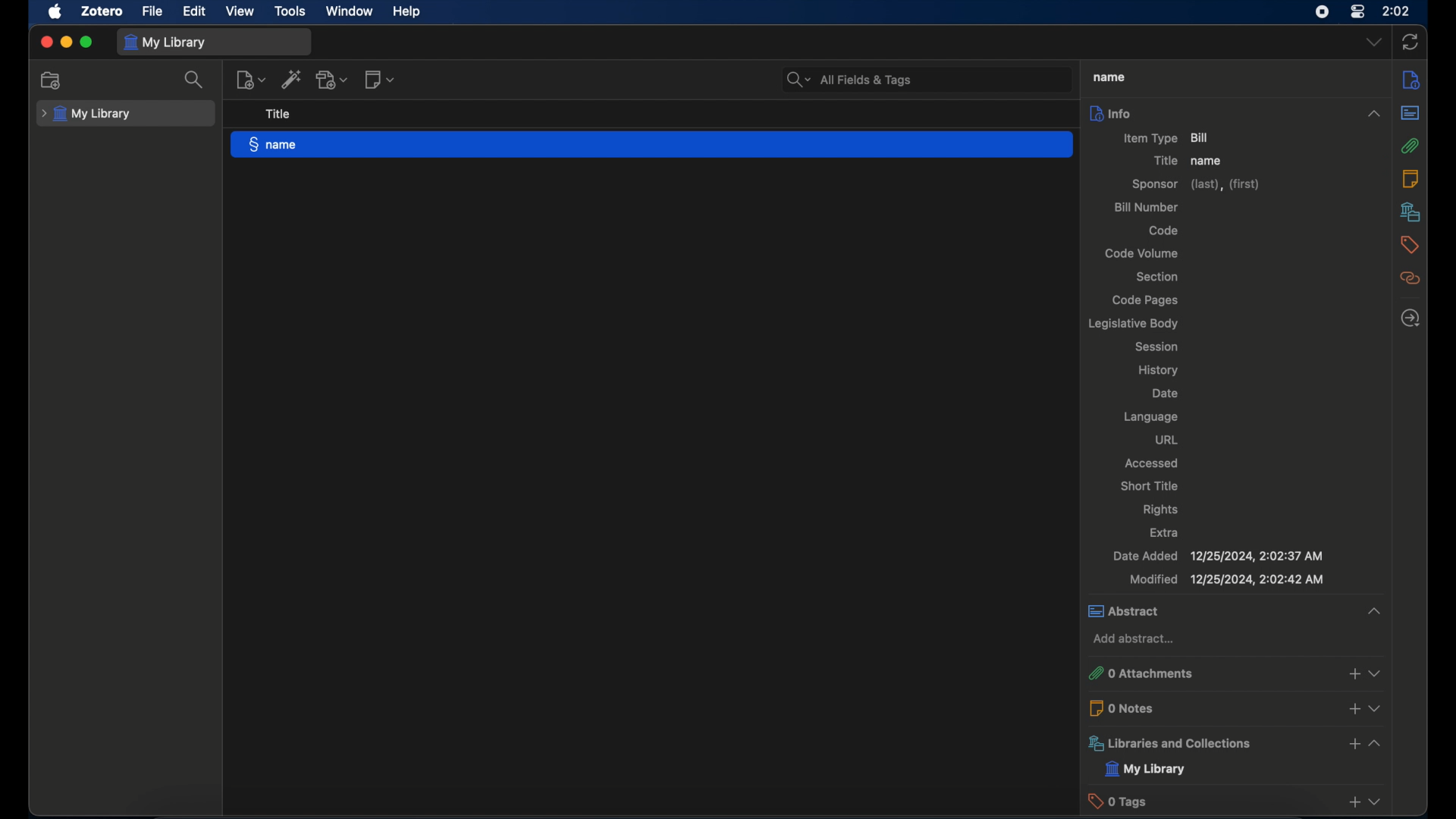 This screenshot has height=819, width=1456. What do you see at coordinates (45, 40) in the screenshot?
I see `close` at bounding box center [45, 40].